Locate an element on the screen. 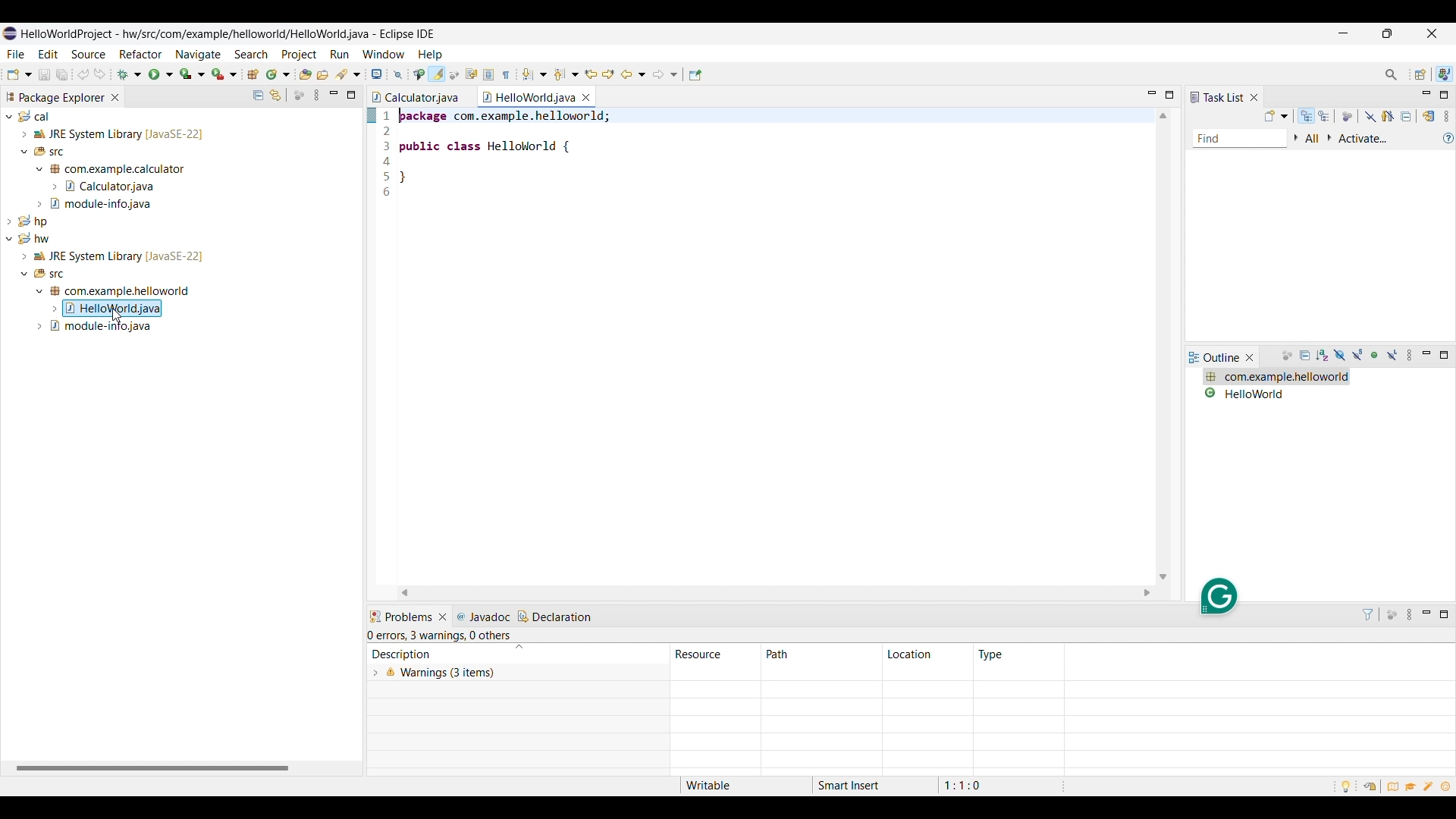  Hide fields is located at coordinates (1338, 356).